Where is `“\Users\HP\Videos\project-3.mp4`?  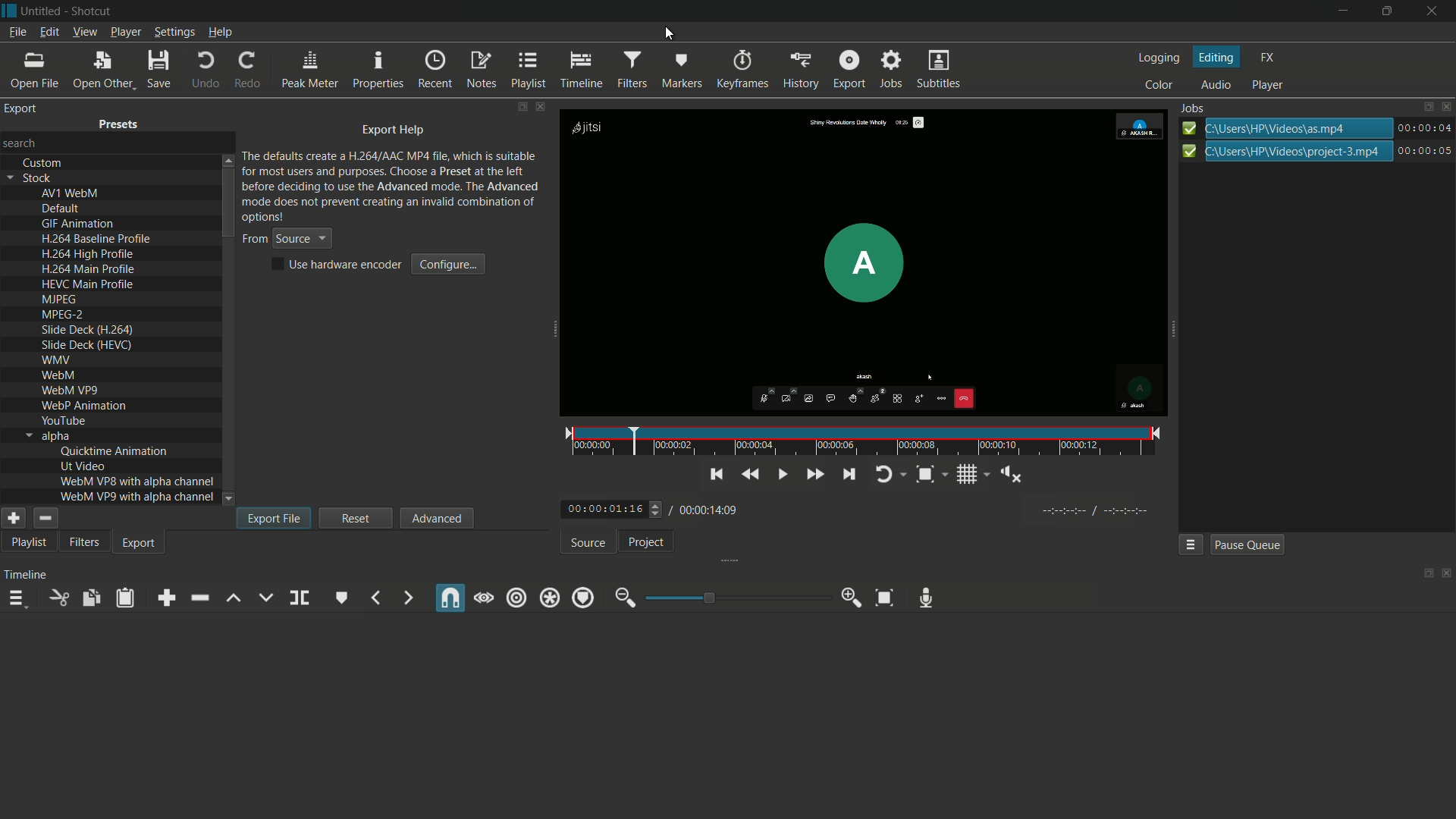
“\Users\HP\Videos\project-3.mp4 is located at coordinates (1315, 154).